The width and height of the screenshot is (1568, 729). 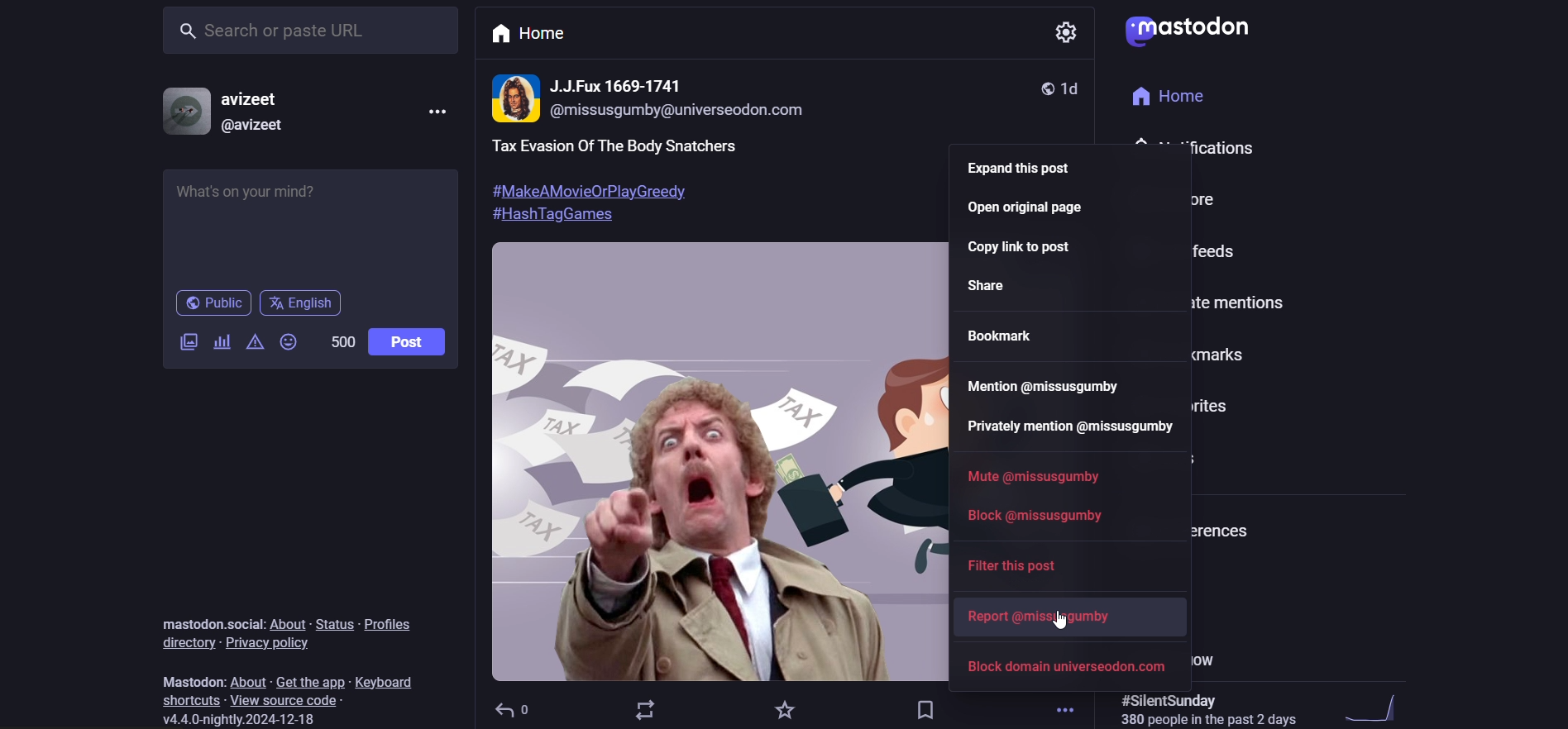 I want to click on open original page, so click(x=1025, y=207).